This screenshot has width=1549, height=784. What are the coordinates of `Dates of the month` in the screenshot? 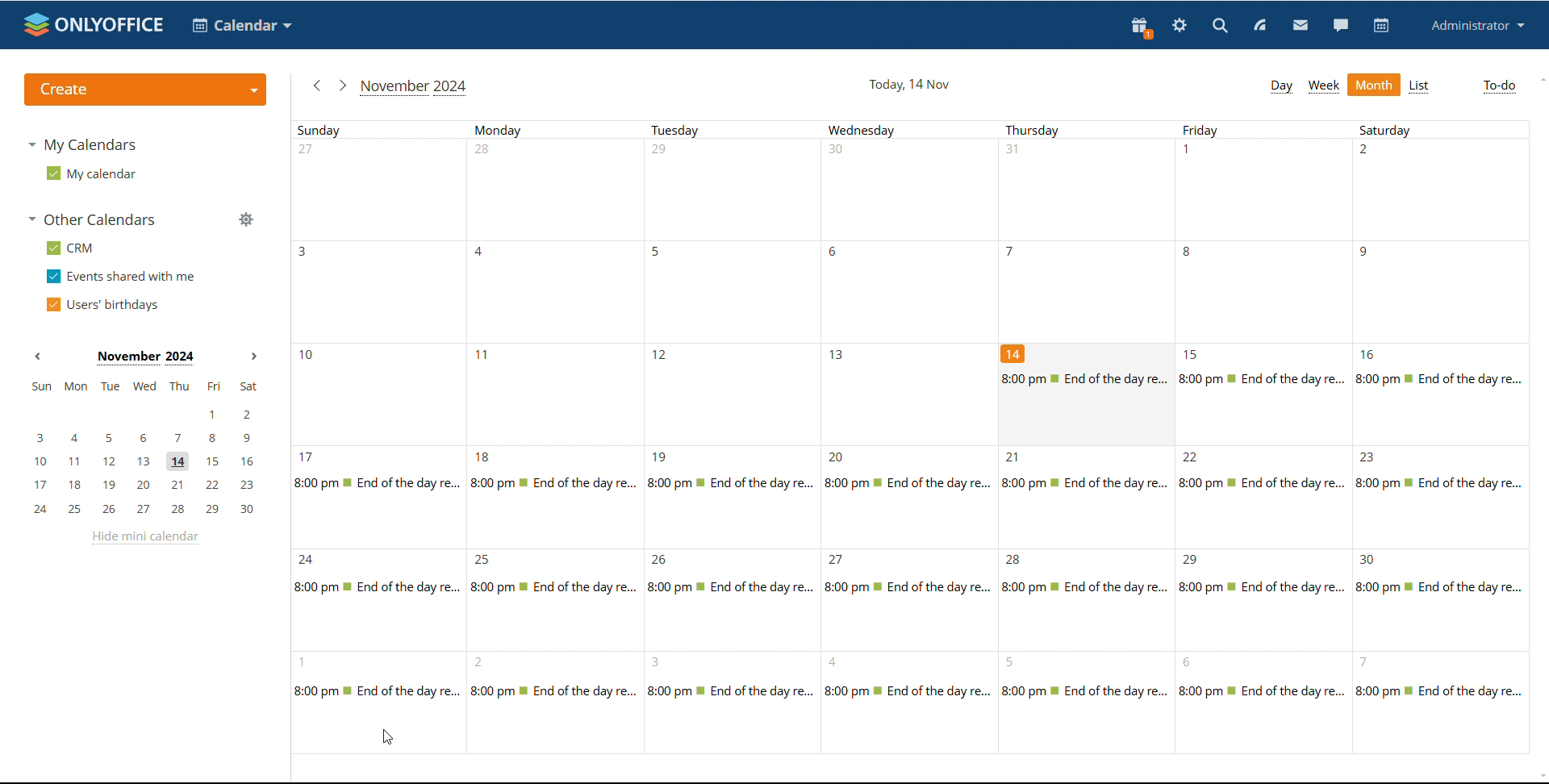 It's located at (920, 191).